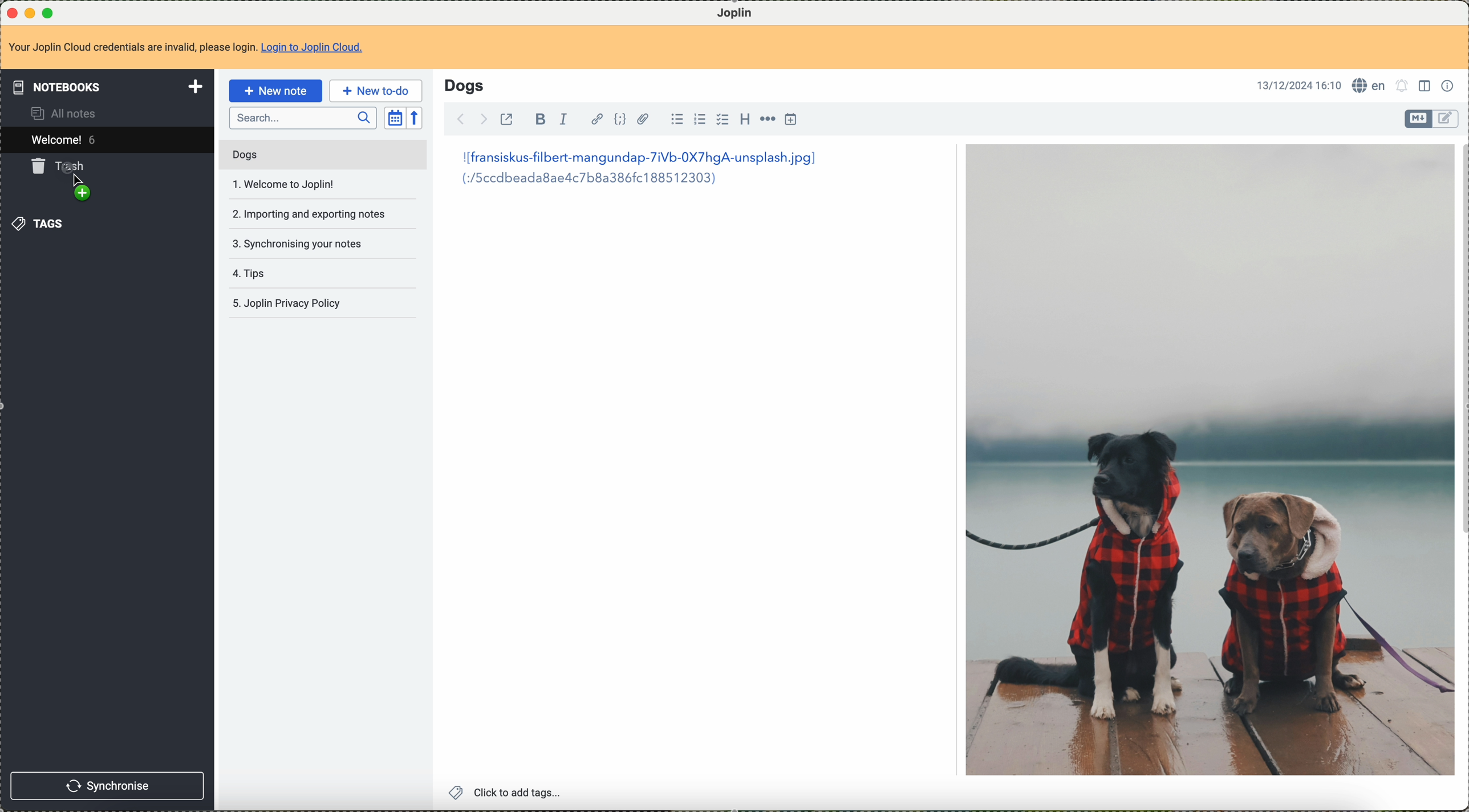 This screenshot has width=1469, height=812. Describe the element at coordinates (462, 119) in the screenshot. I see `back` at that location.